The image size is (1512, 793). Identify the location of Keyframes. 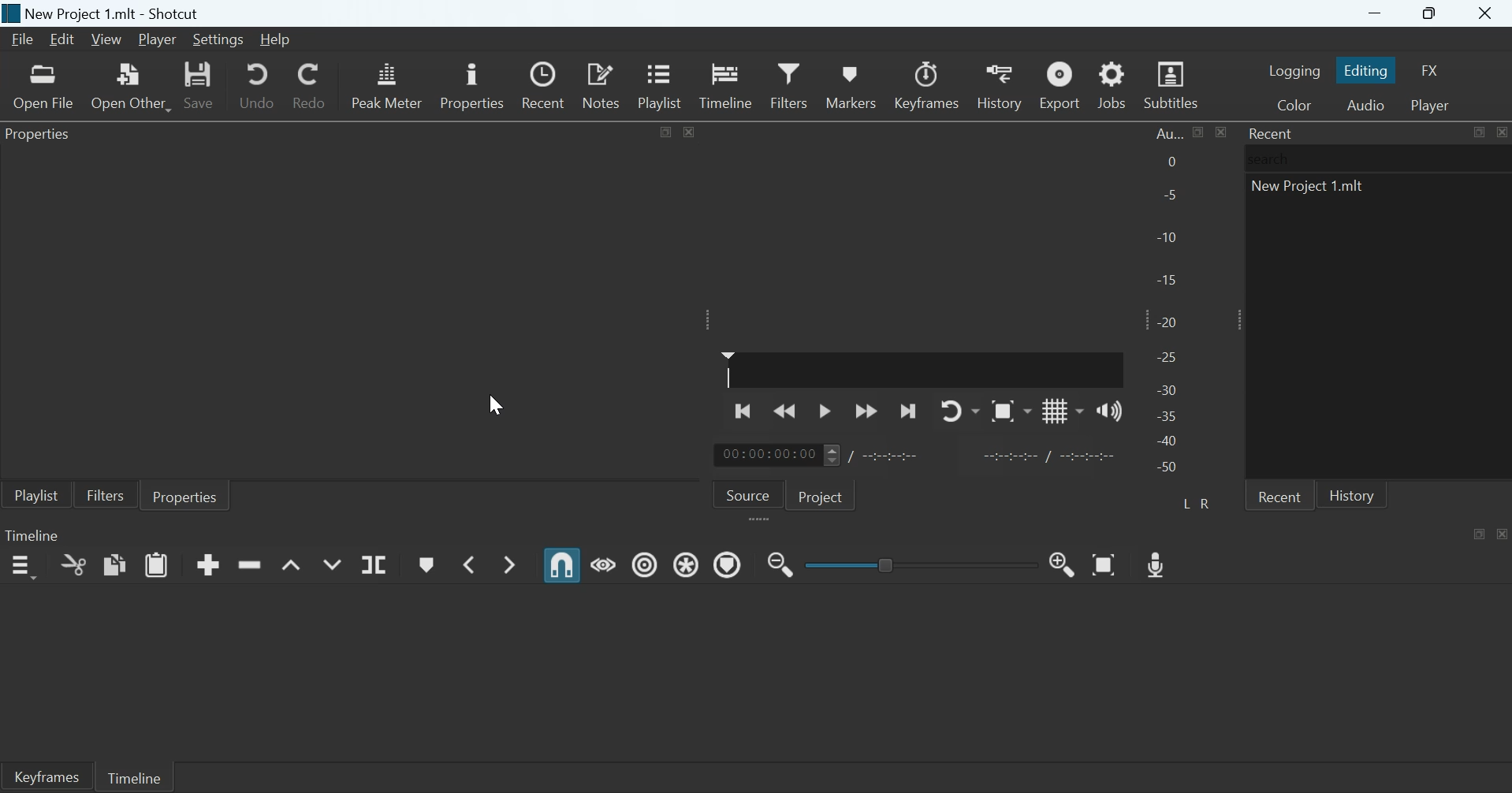
(46, 776).